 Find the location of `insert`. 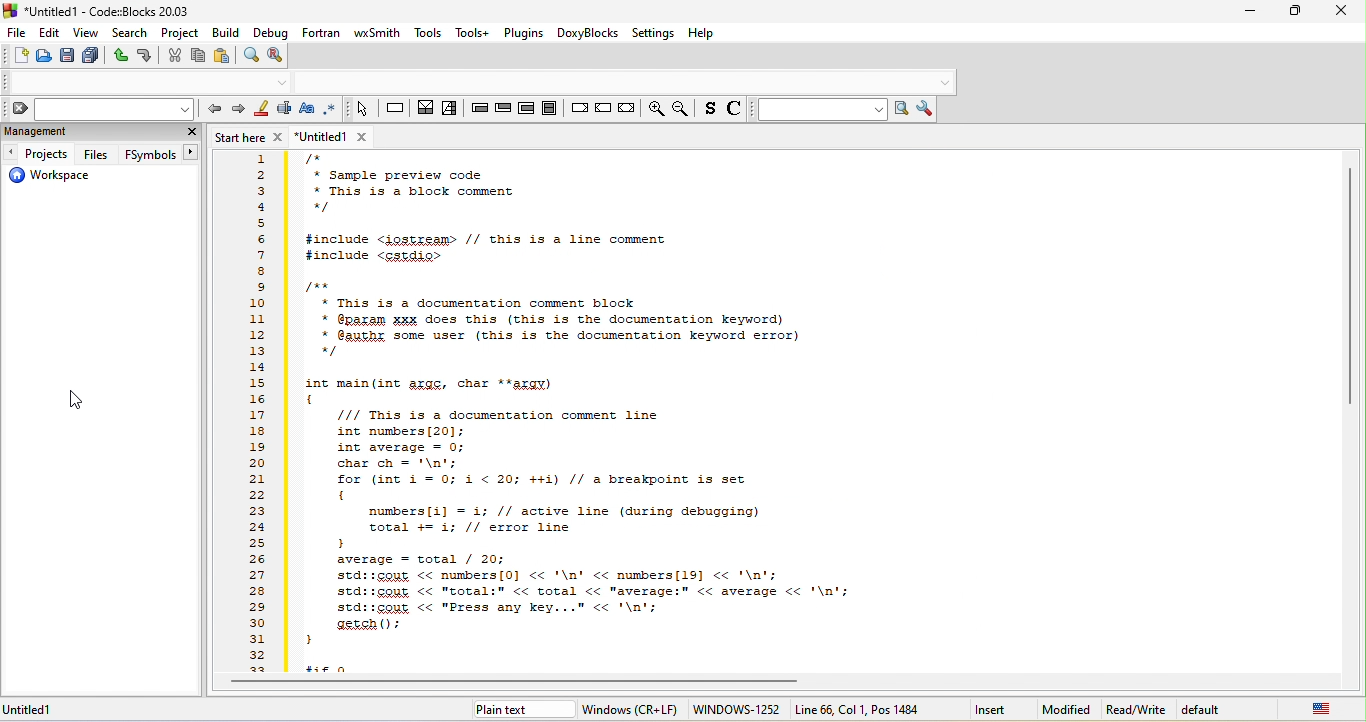

insert is located at coordinates (991, 710).